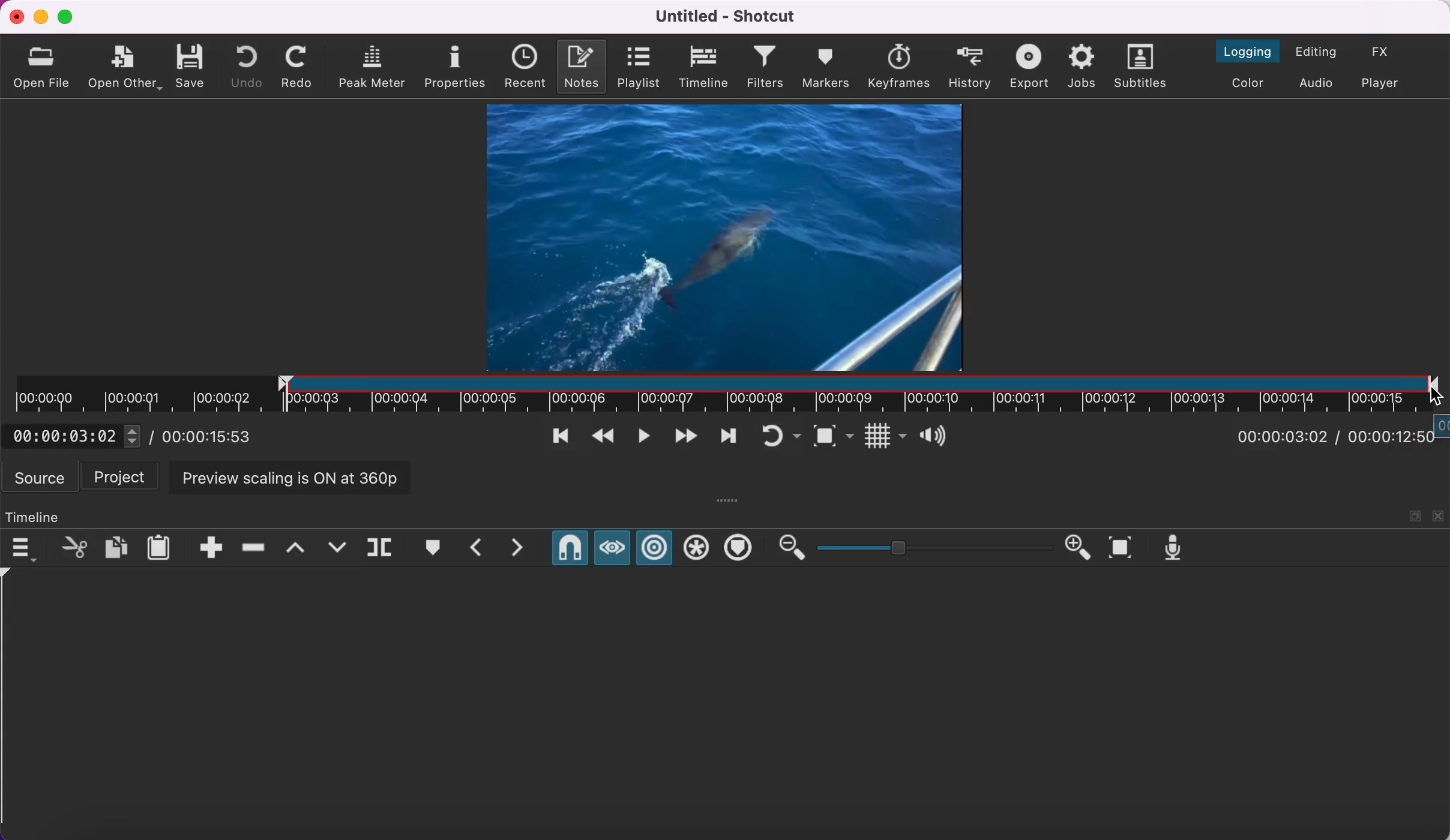 Image resolution: width=1450 pixels, height=840 pixels. What do you see at coordinates (730, 499) in the screenshot?
I see `more` at bounding box center [730, 499].